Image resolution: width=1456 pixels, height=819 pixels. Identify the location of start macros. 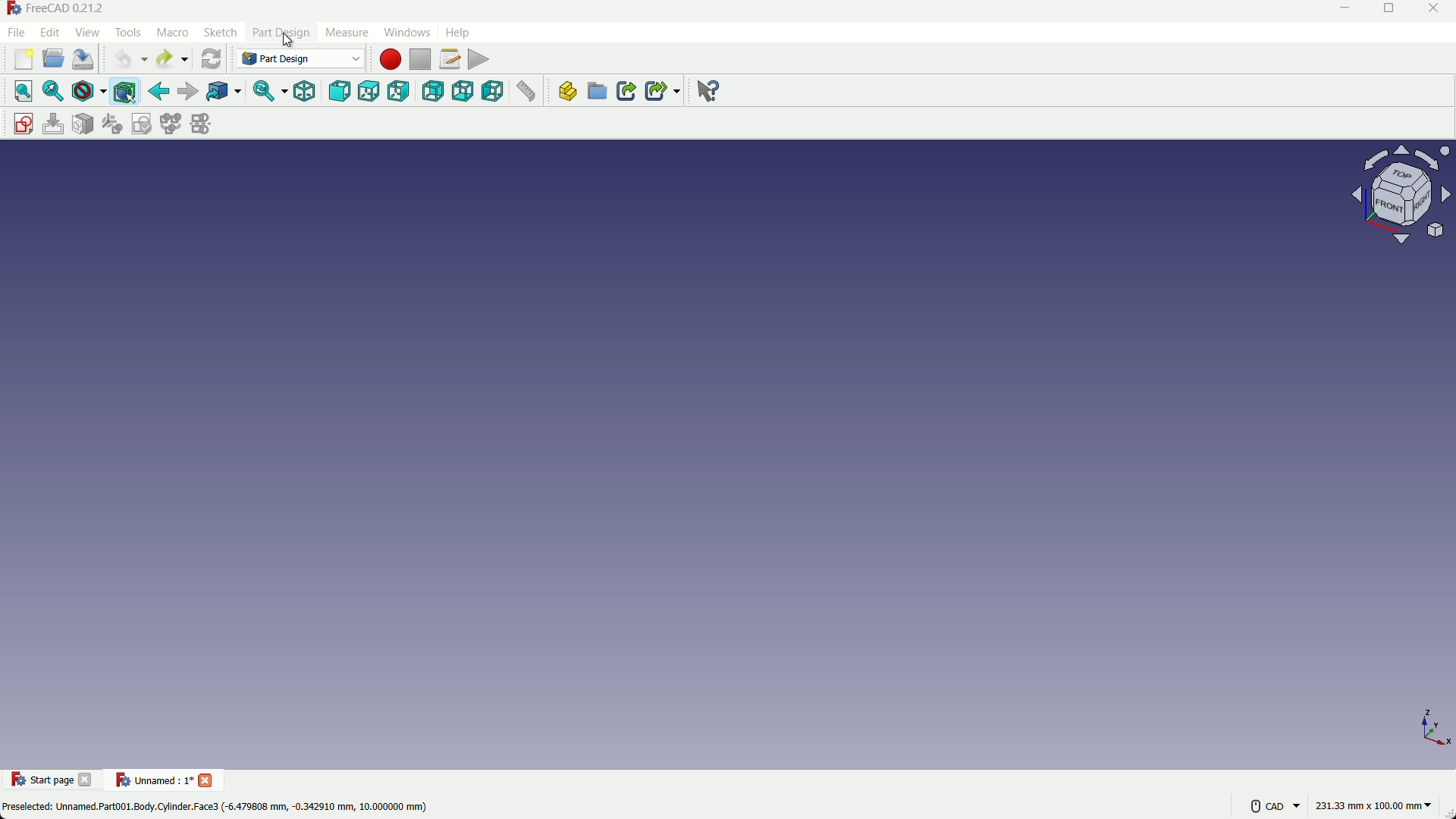
(391, 60).